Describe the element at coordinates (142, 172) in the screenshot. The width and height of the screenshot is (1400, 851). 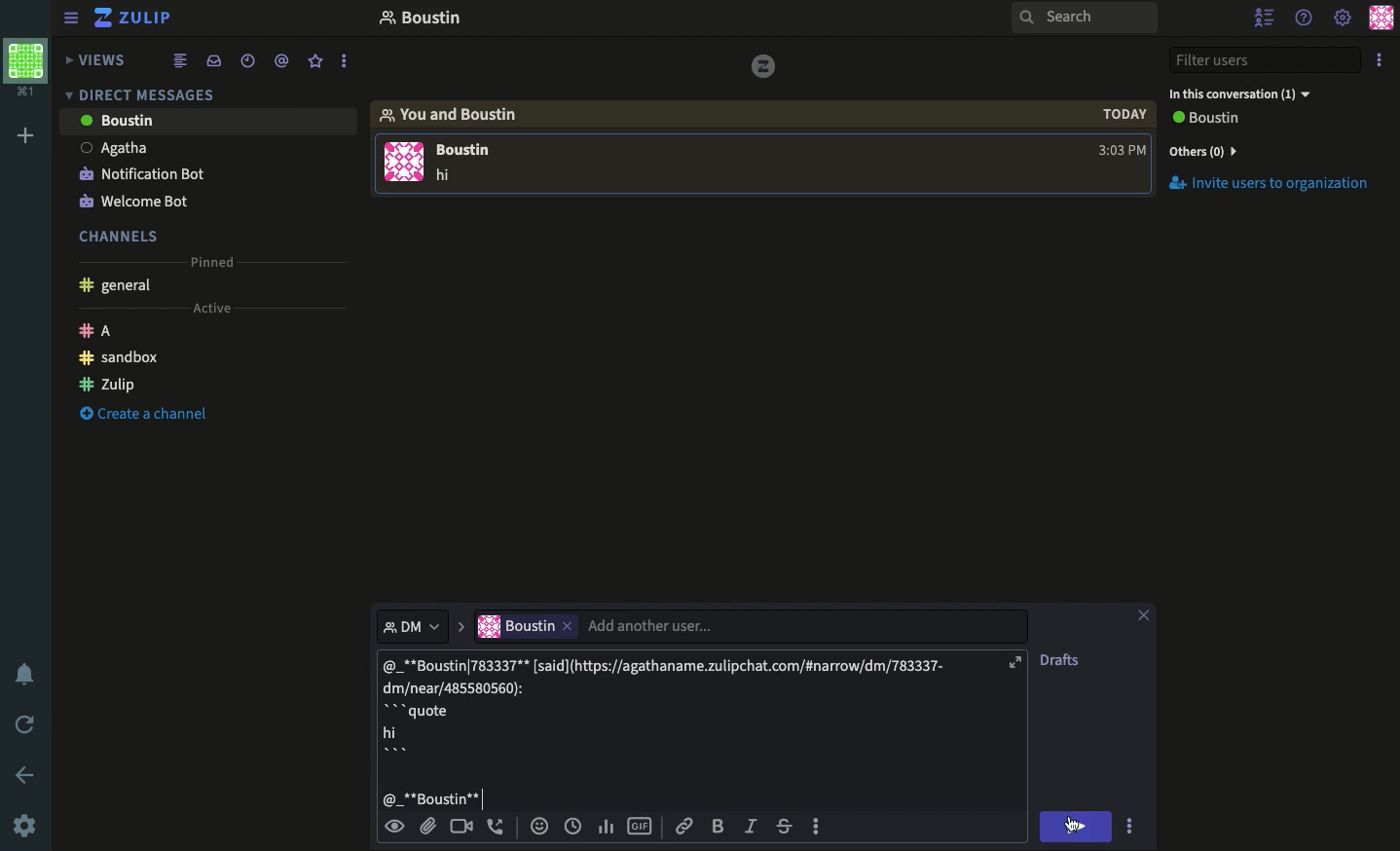
I see `Notification bot` at that location.